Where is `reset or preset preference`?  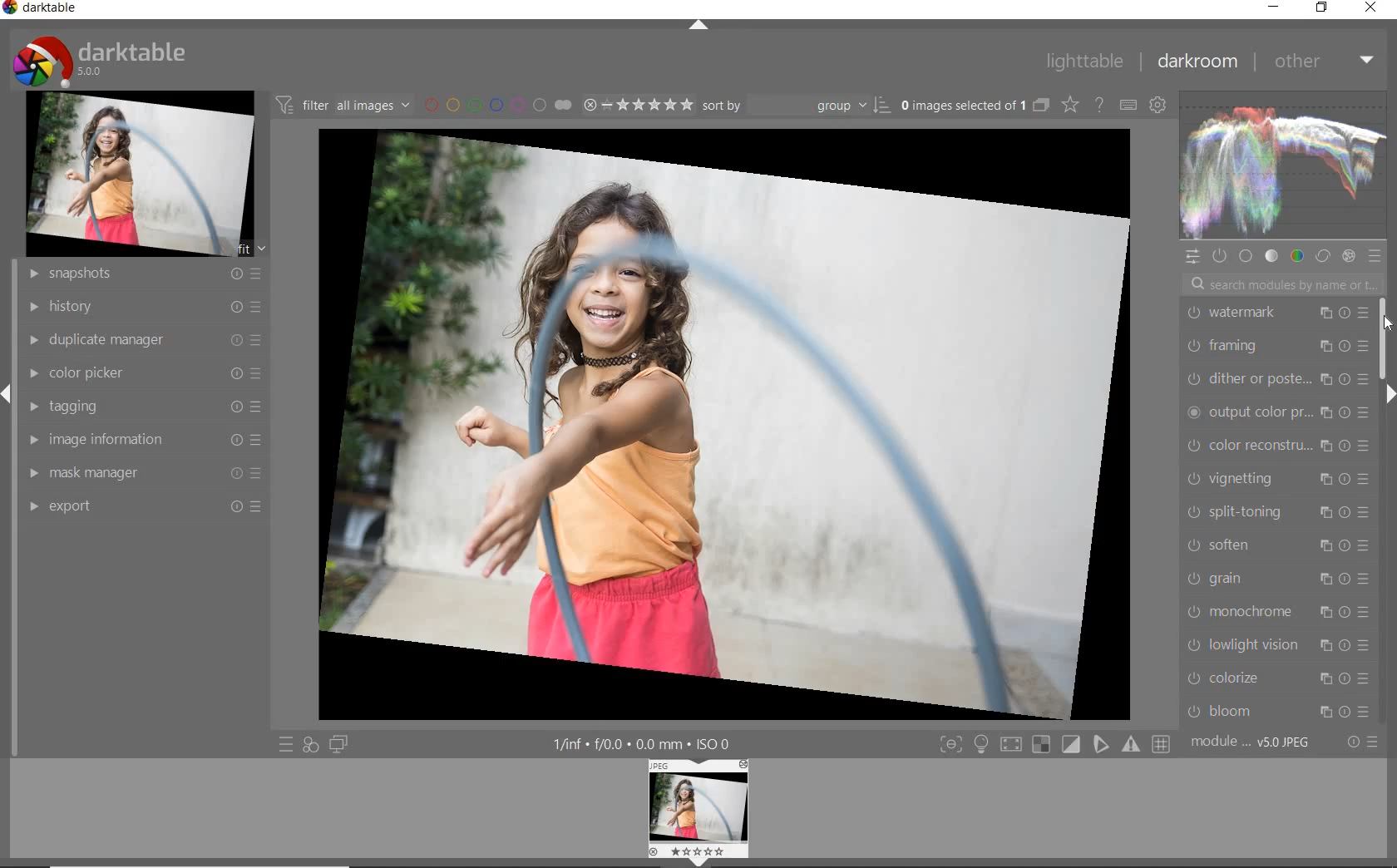 reset or preset preference is located at coordinates (1359, 742).